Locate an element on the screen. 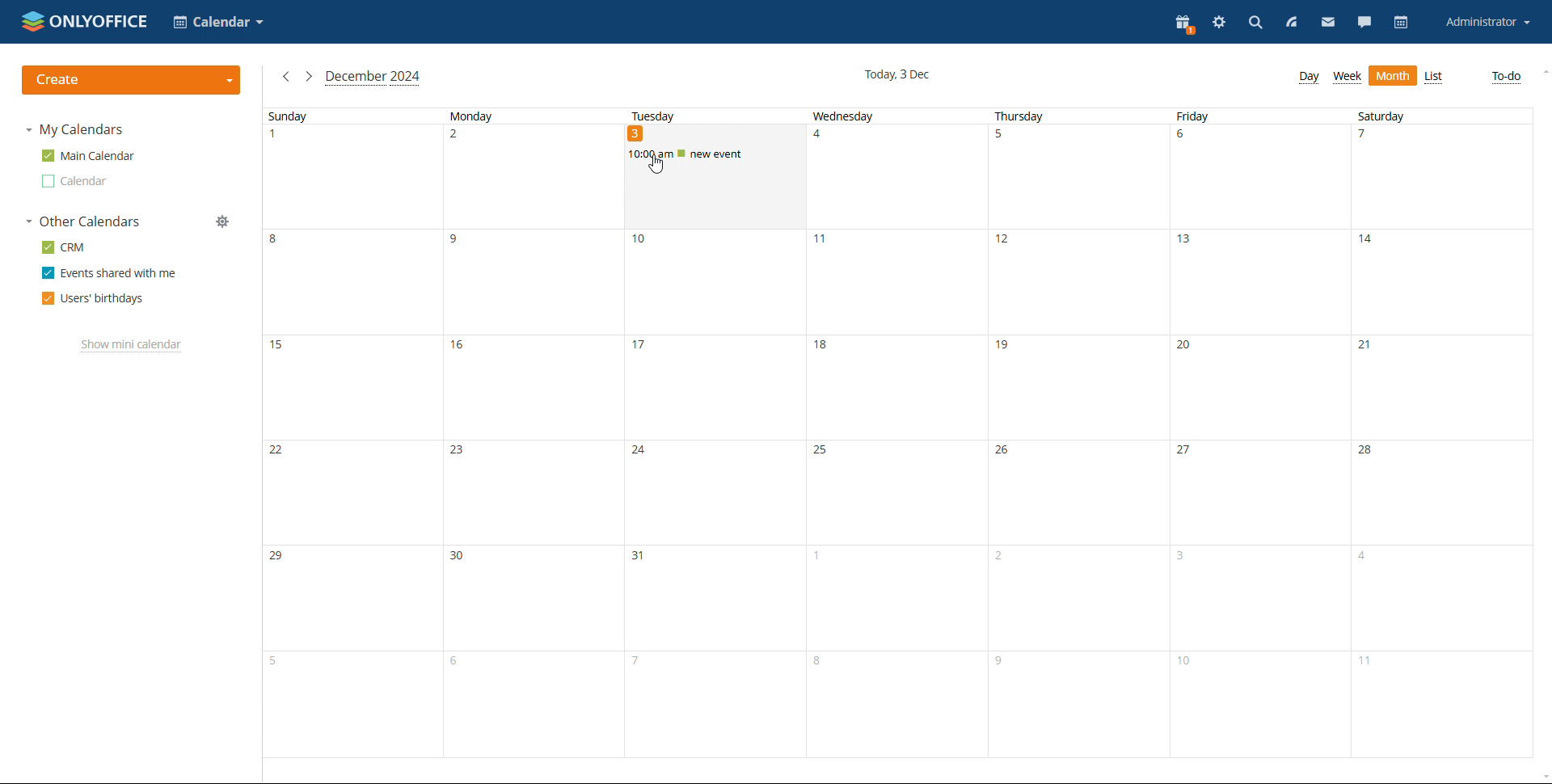  14 is located at coordinates (1444, 282).